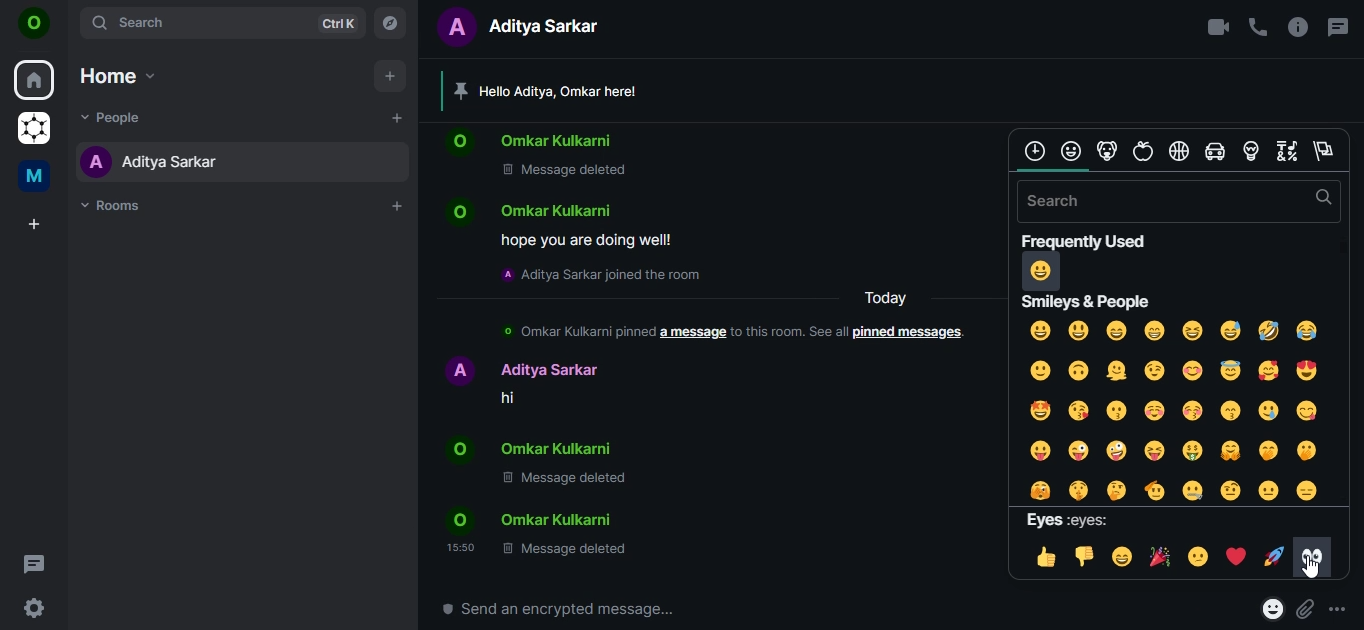 This screenshot has width=1364, height=630. What do you see at coordinates (1193, 411) in the screenshot?
I see `kissing face with closed eyes` at bounding box center [1193, 411].